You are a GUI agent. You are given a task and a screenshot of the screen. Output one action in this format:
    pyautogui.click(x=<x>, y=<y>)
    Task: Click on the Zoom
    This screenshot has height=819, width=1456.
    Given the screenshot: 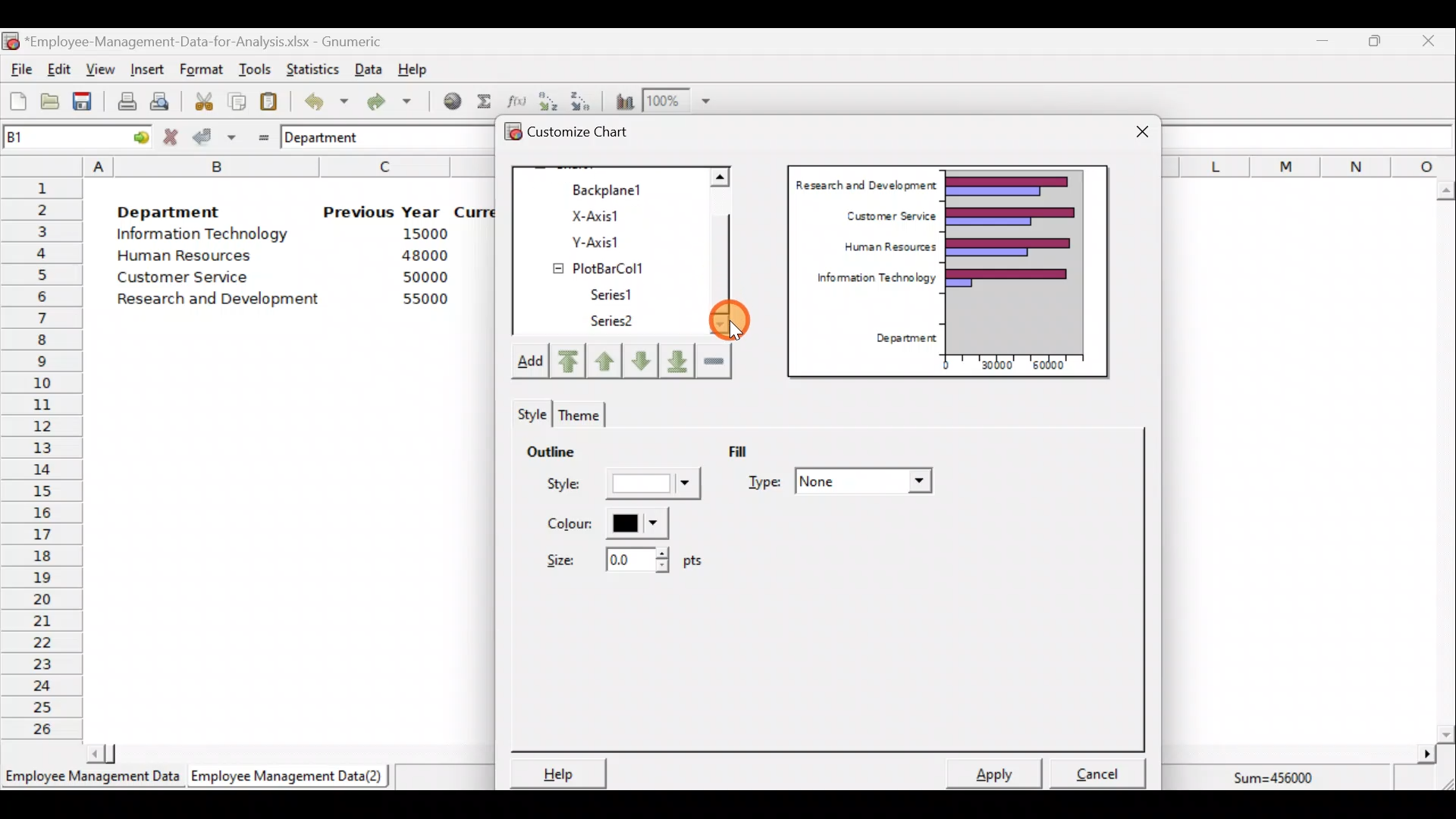 What is the action you would take?
    pyautogui.click(x=678, y=101)
    